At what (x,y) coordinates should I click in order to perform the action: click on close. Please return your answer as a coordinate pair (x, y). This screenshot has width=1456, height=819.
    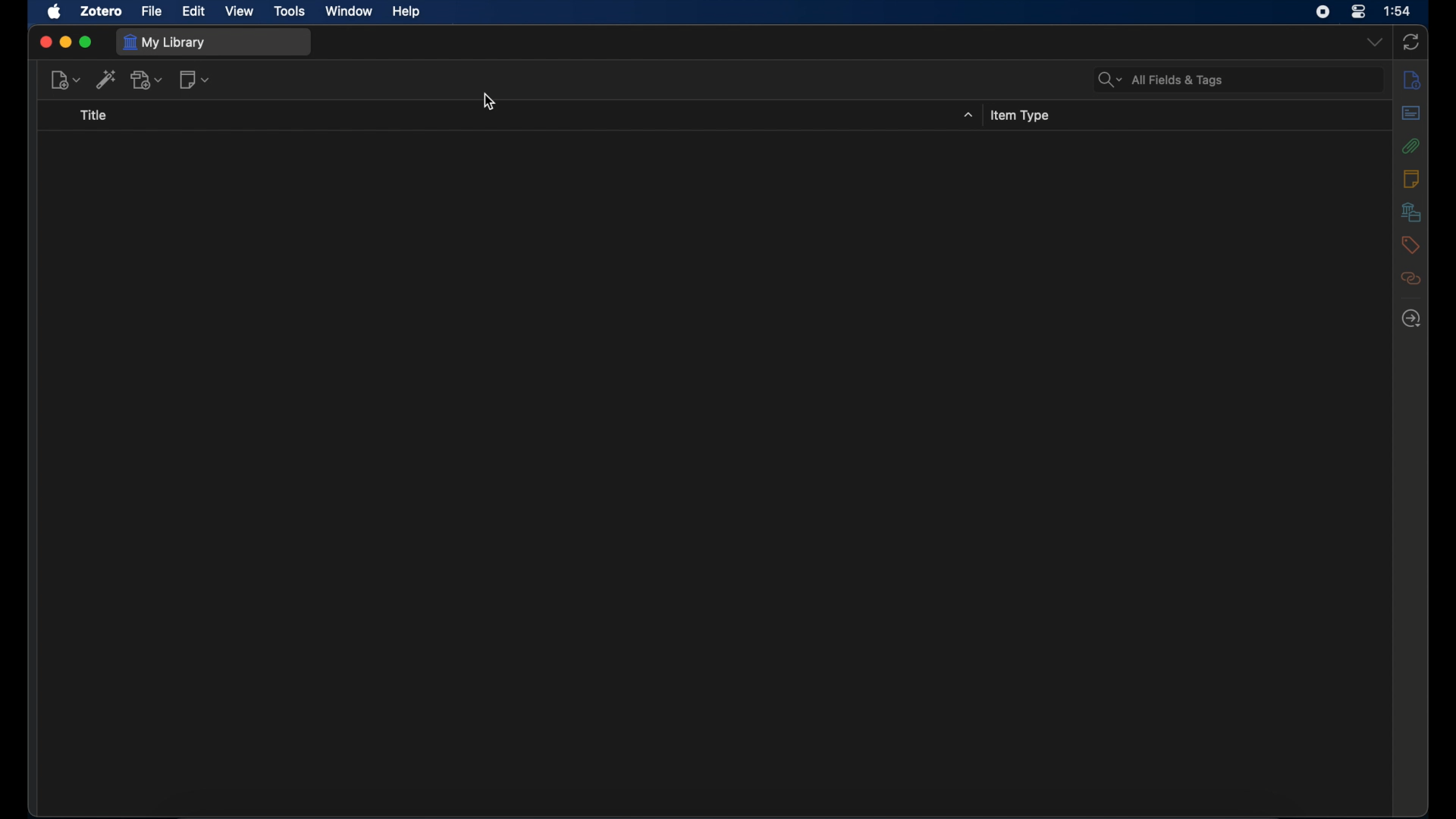
    Looking at the image, I should click on (44, 42).